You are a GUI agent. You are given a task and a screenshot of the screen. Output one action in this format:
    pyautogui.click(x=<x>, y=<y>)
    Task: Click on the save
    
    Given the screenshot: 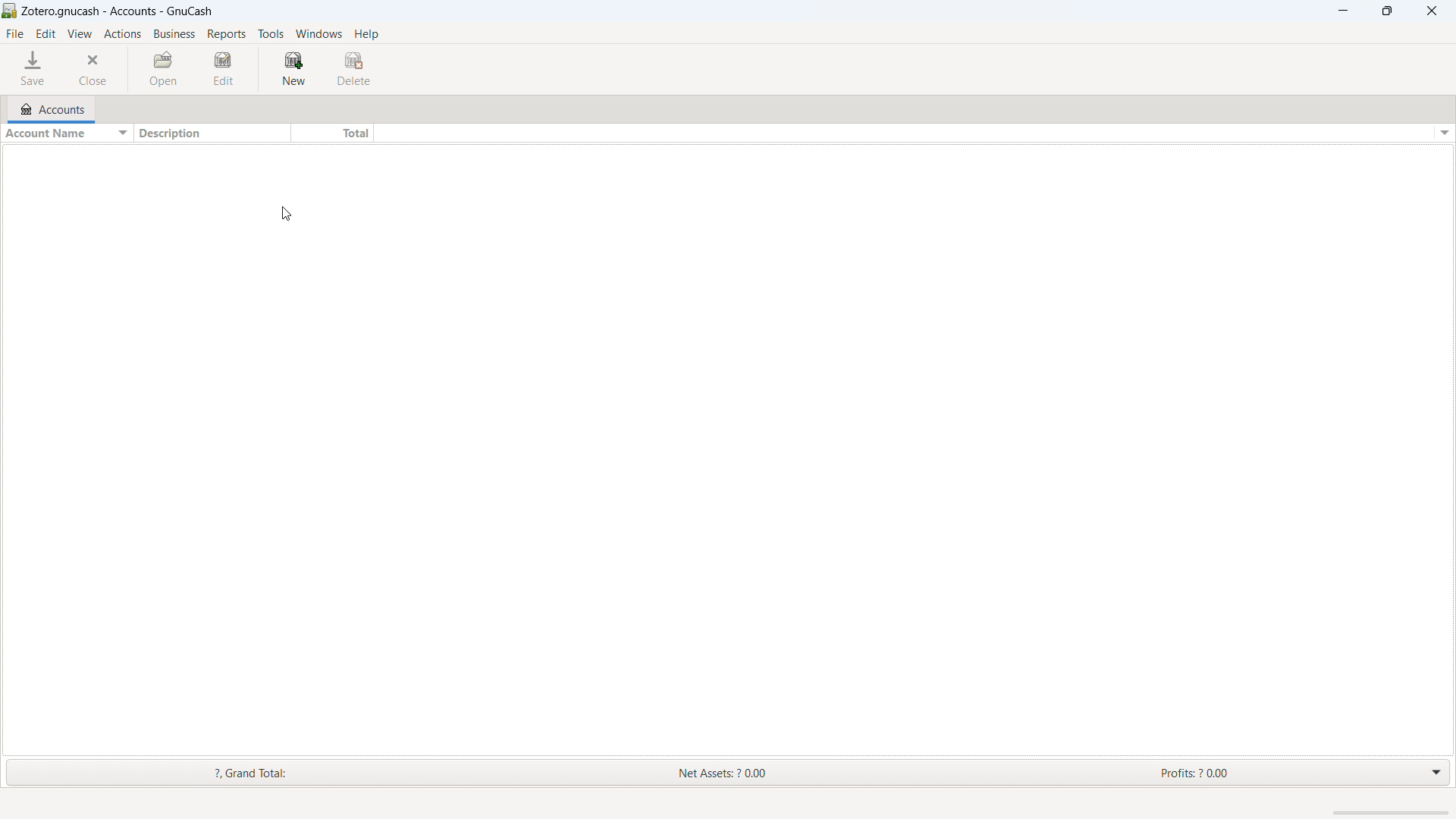 What is the action you would take?
    pyautogui.click(x=34, y=68)
    